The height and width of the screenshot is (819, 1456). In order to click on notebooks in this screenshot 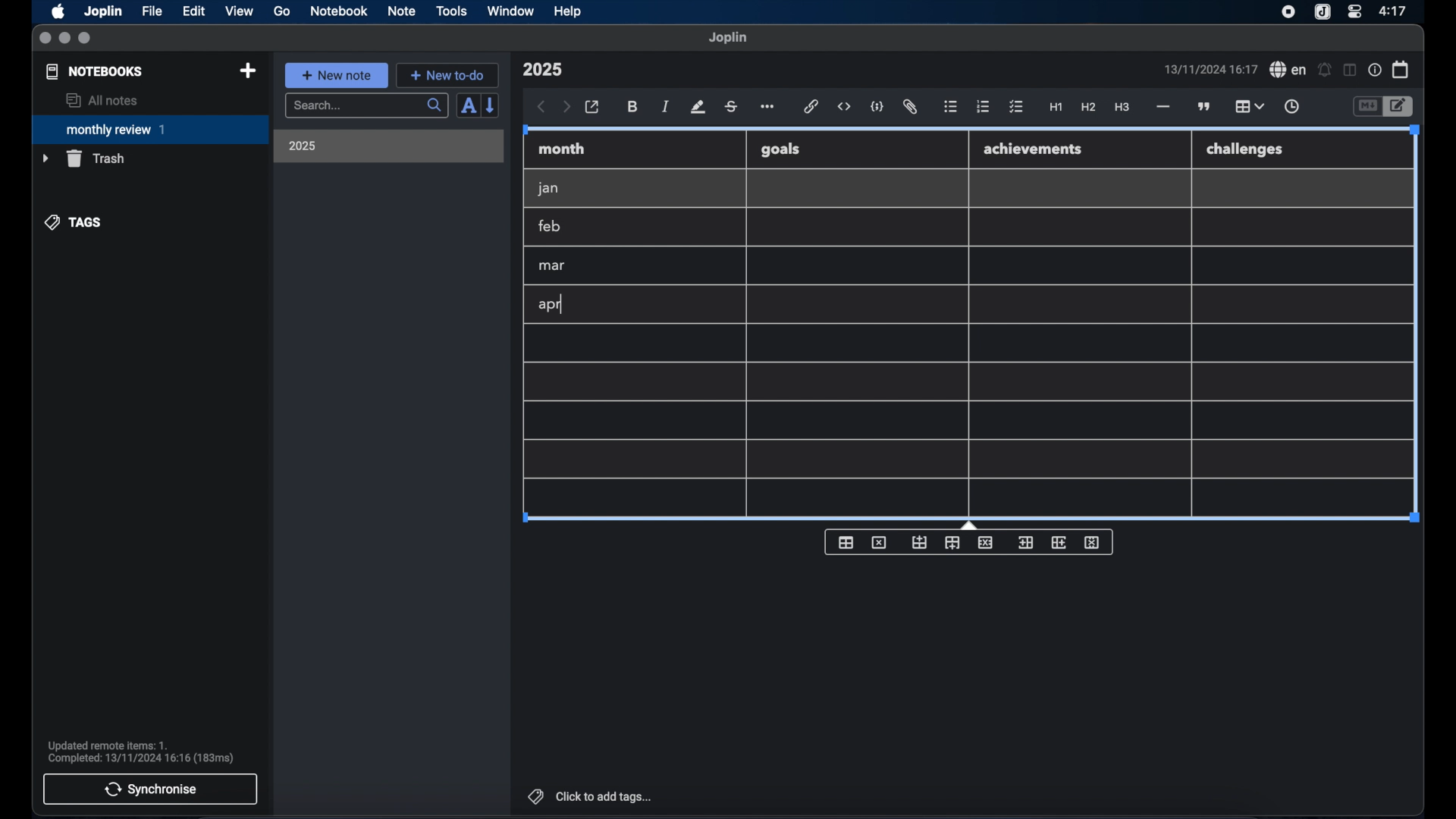, I will do `click(95, 71)`.